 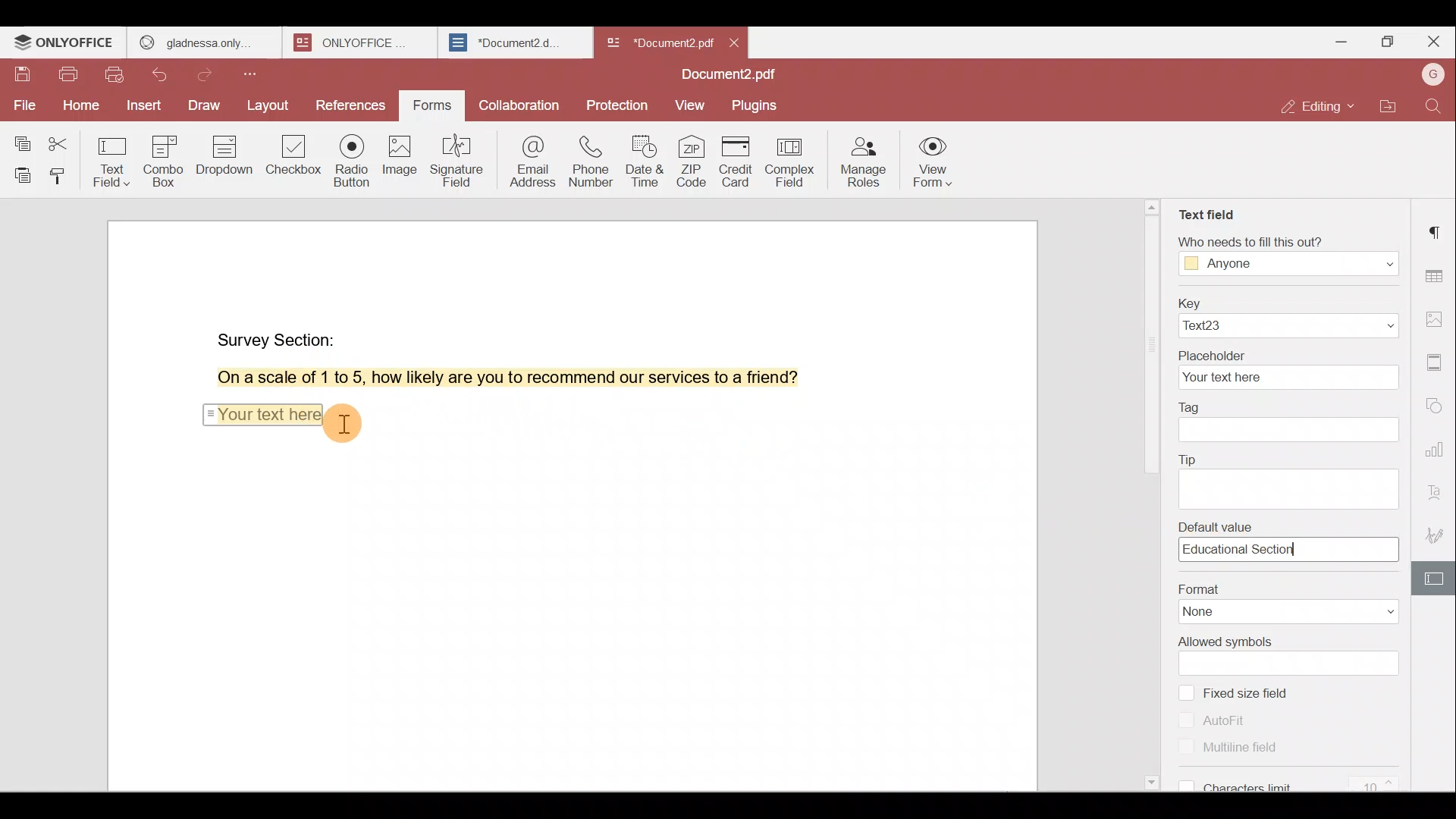 I want to click on close, so click(x=734, y=42).